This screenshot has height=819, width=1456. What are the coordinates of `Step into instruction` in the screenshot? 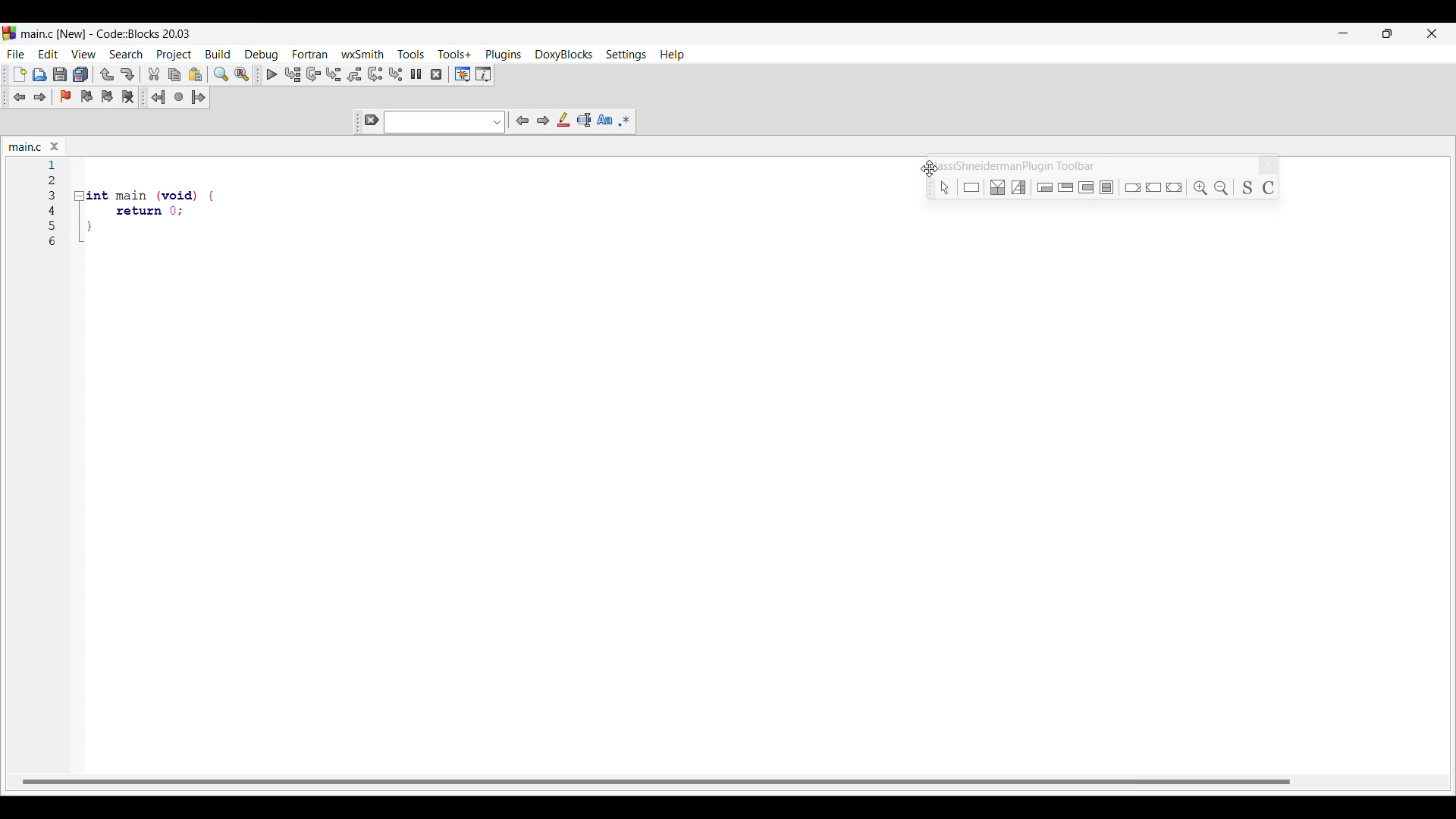 It's located at (396, 74).